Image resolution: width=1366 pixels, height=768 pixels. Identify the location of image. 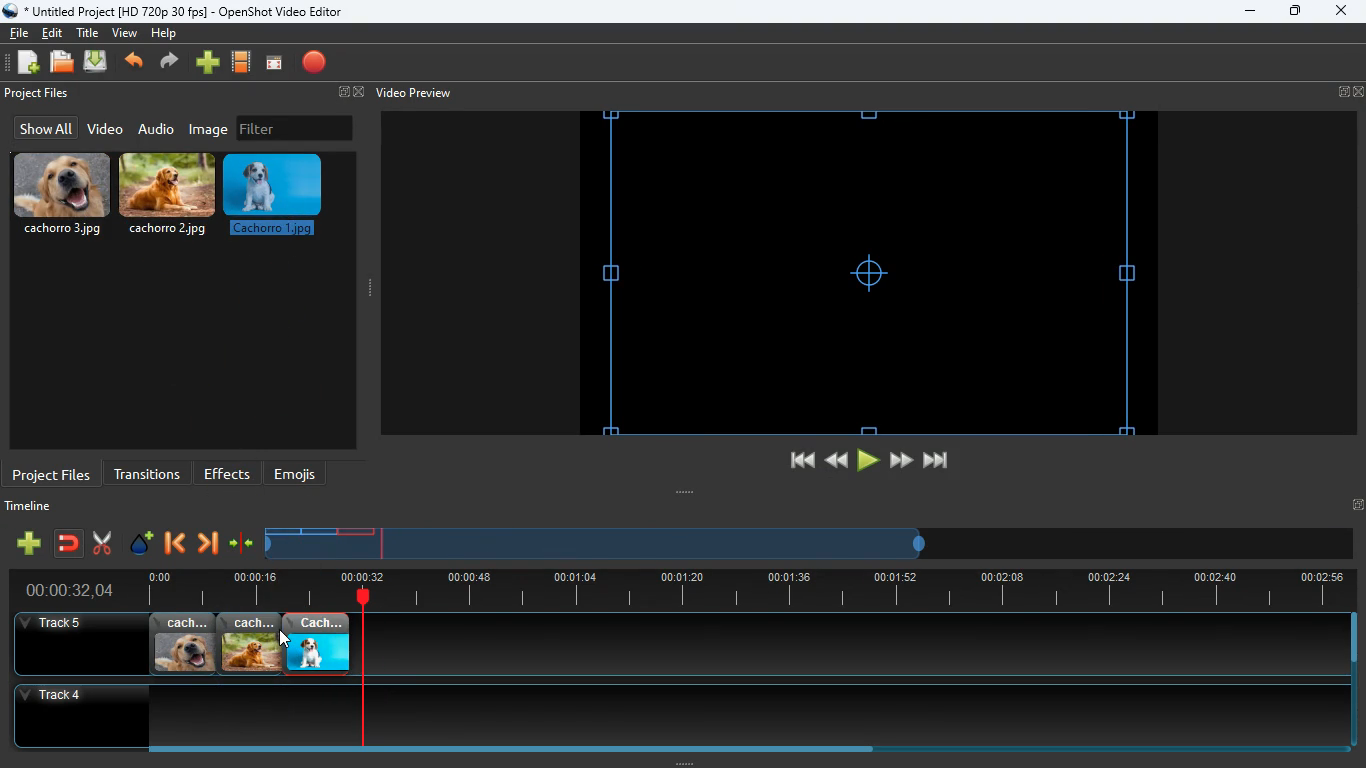
(210, 129).